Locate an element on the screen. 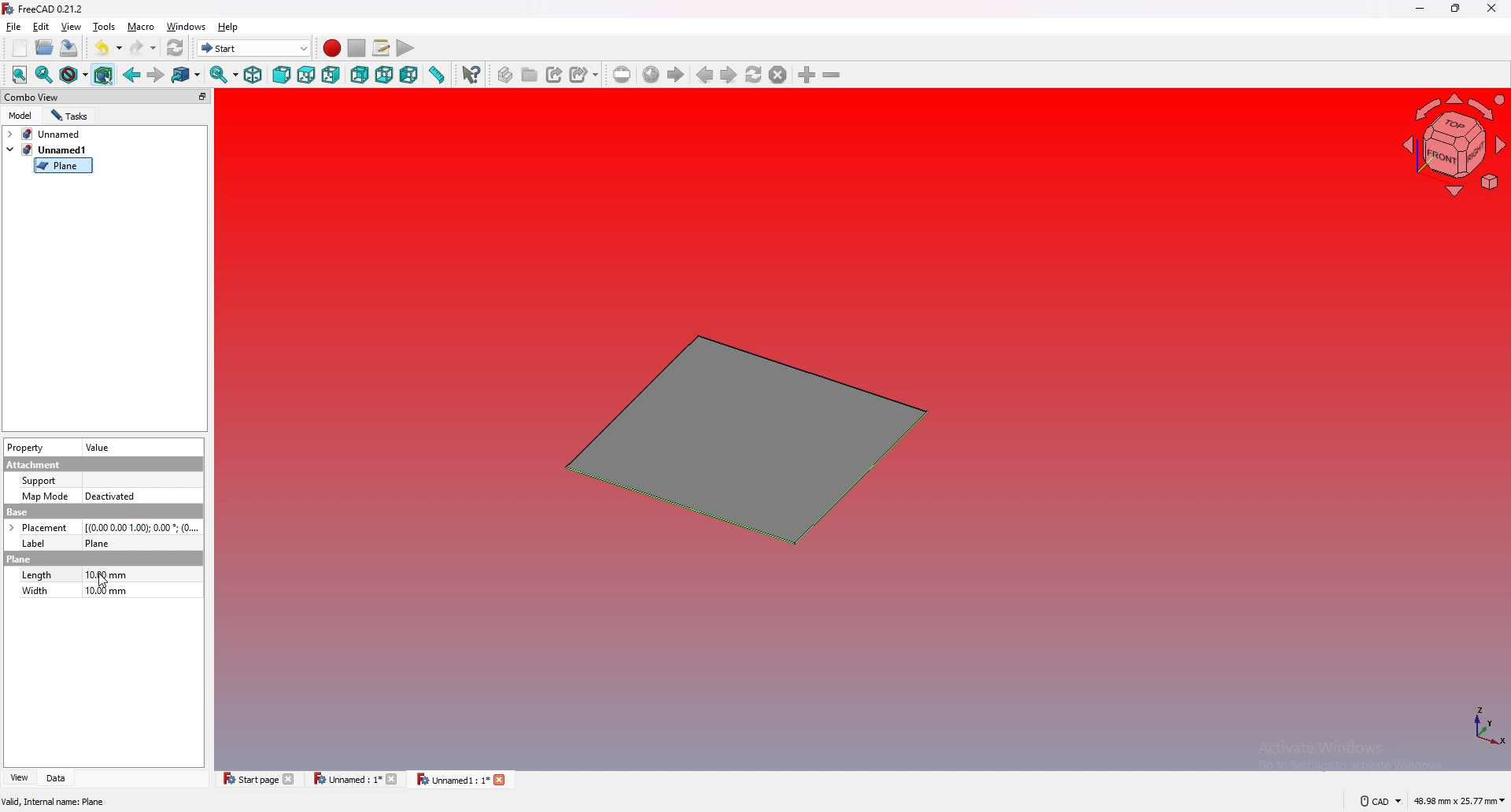  close is located at coordinates (1490, 9).